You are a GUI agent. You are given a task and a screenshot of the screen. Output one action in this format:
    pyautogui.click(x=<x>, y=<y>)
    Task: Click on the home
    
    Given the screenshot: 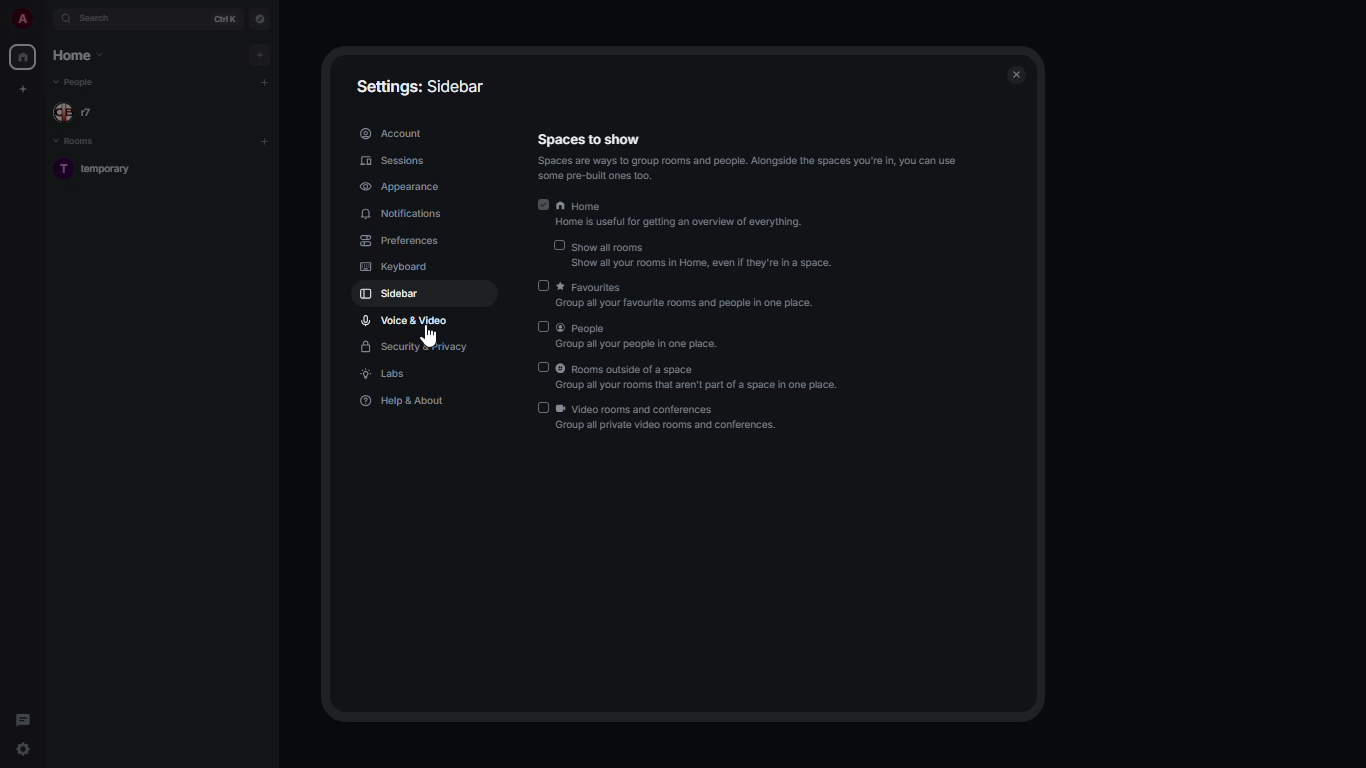 What is the action you would take?
    pyautogui.click(x=678, y=217)
    